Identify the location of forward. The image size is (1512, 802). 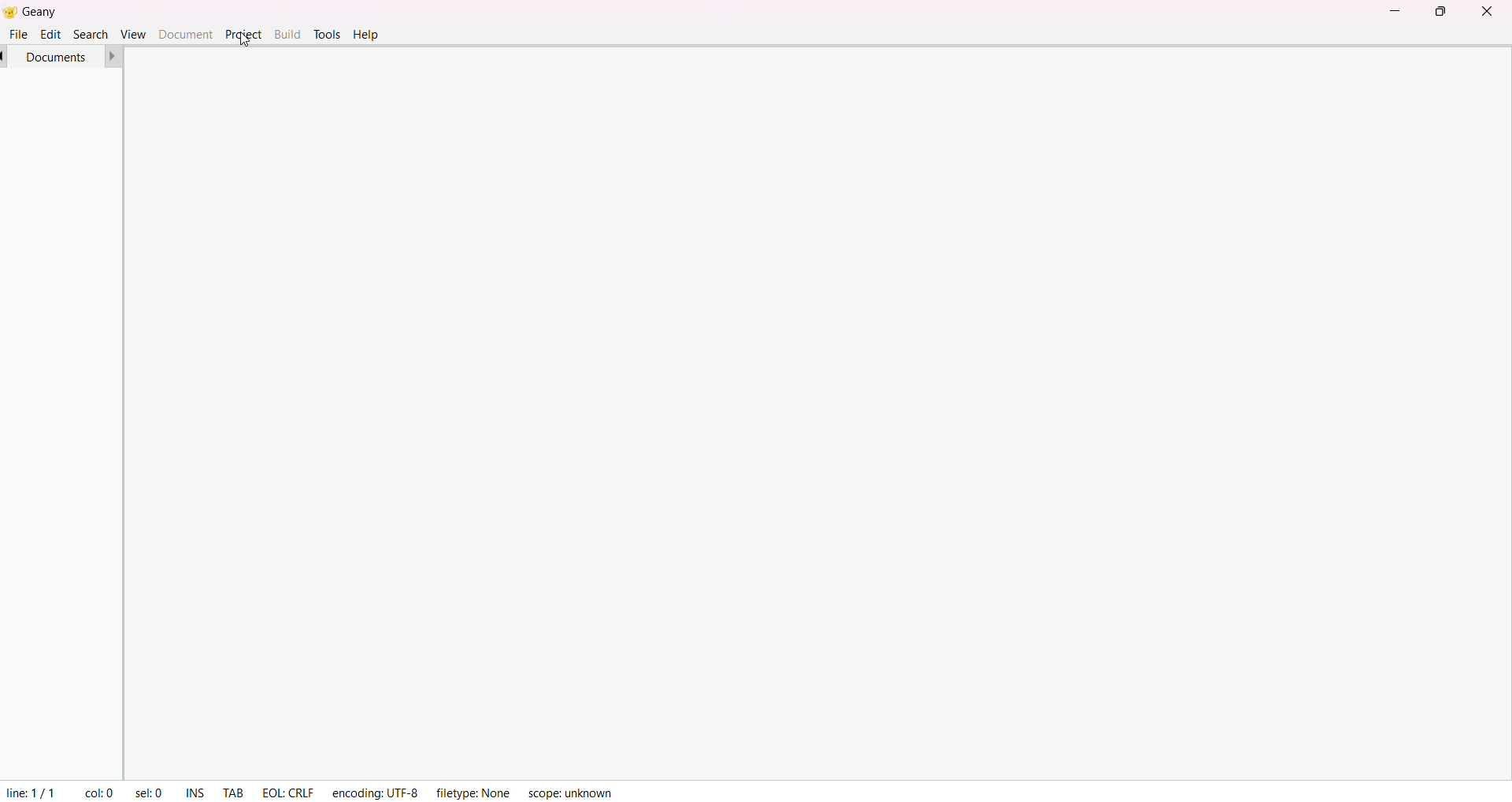
(113, 56).